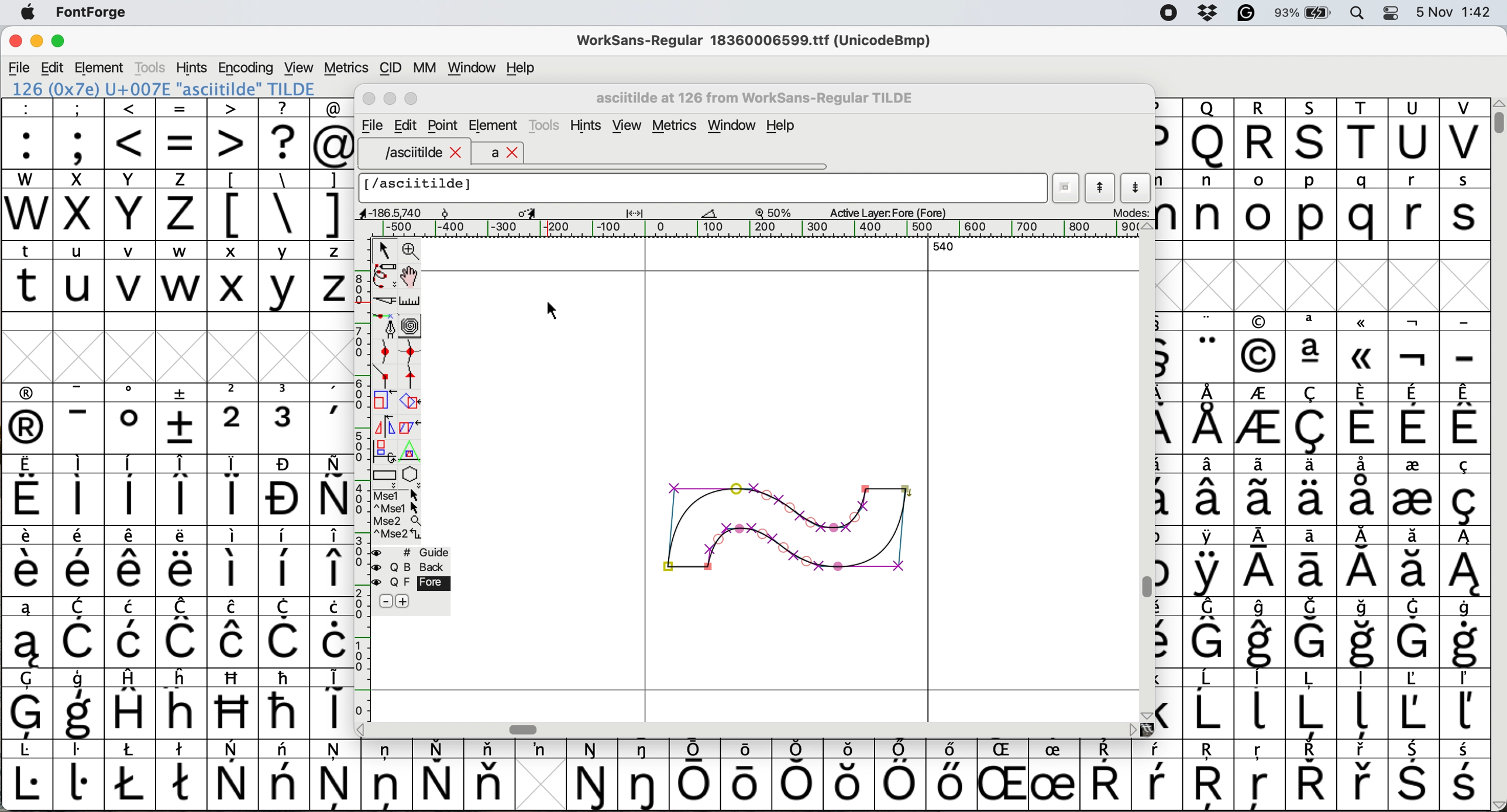 This screenshot has height=812, width=1507. I want to click on show previous letter, so click(1100, 188).